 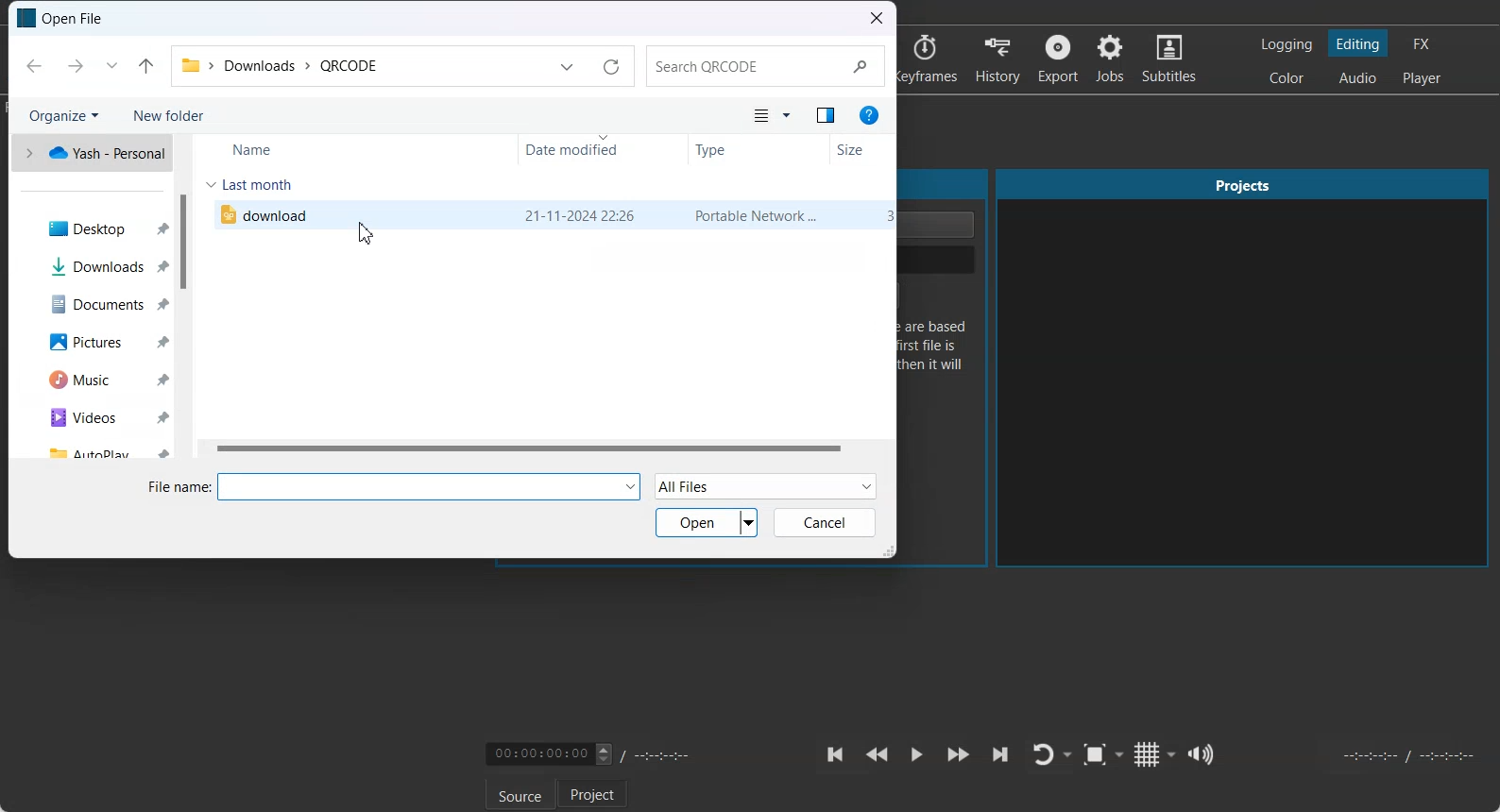 What do you see at coordinates (870, 115) in the screenshot?
I see `Get Help` at bounding box center [870, 115].